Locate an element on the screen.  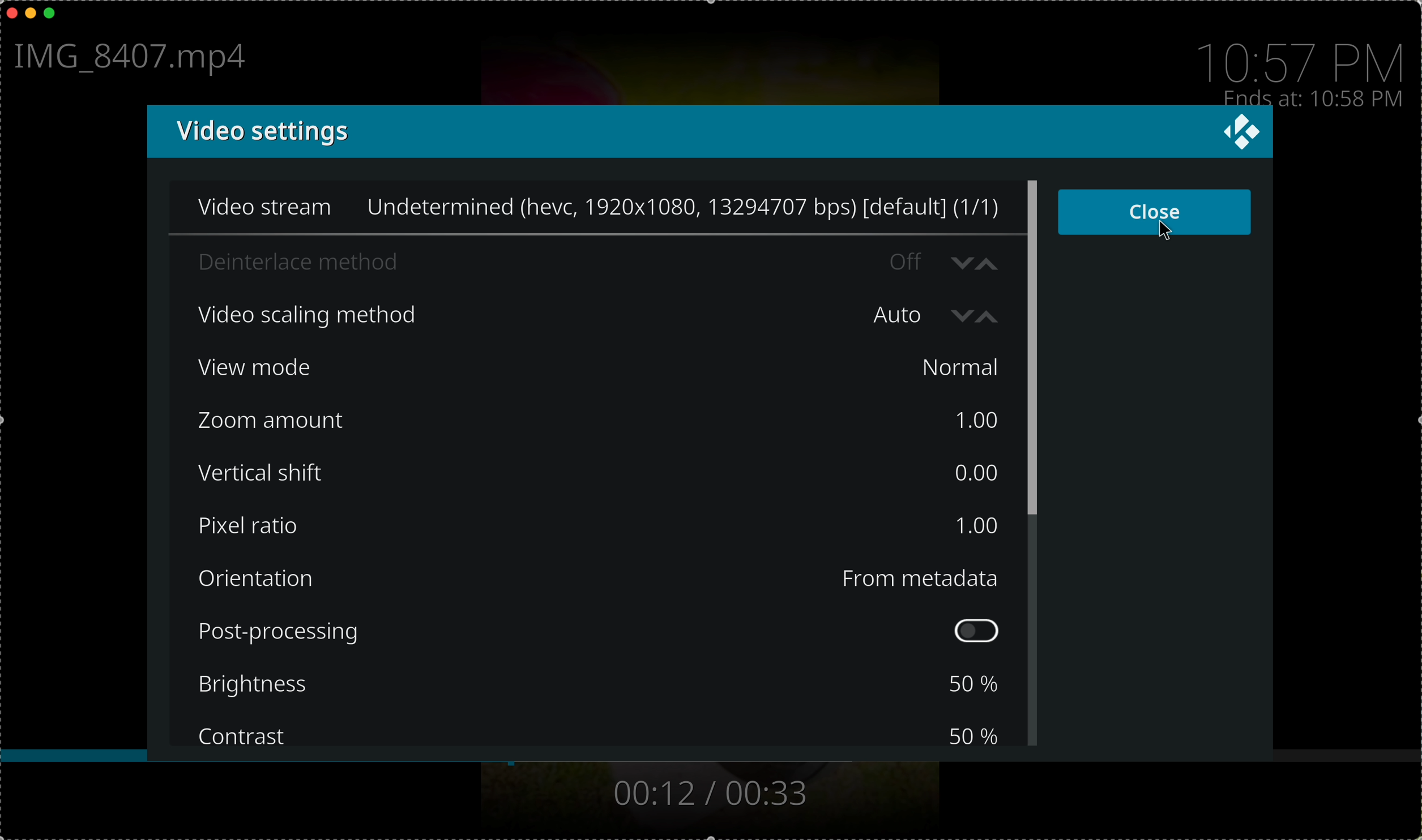
deinterlace method is located at coordinates (551, 260).